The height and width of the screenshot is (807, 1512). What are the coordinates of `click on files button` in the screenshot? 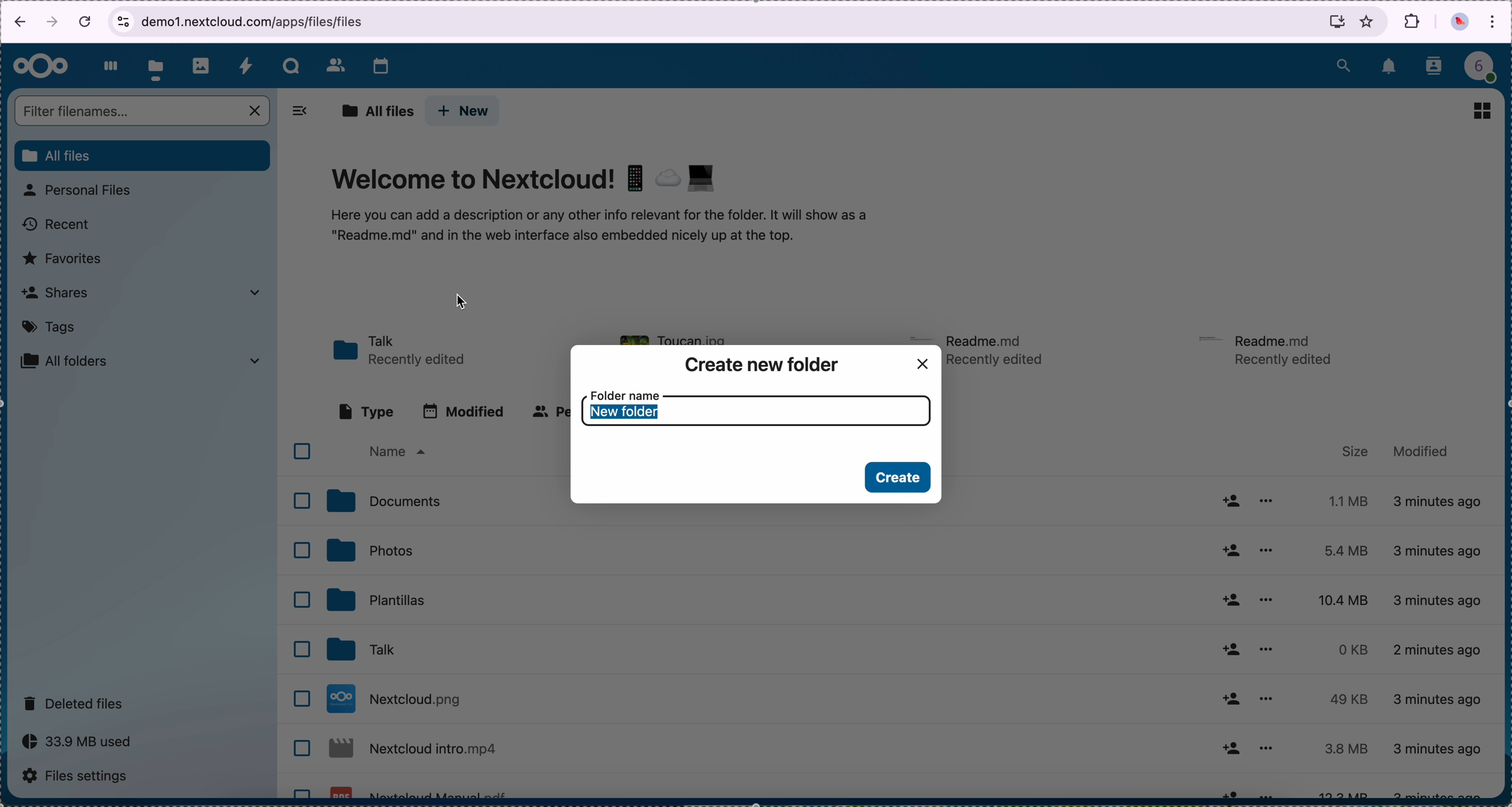 It's located at (158, 66).